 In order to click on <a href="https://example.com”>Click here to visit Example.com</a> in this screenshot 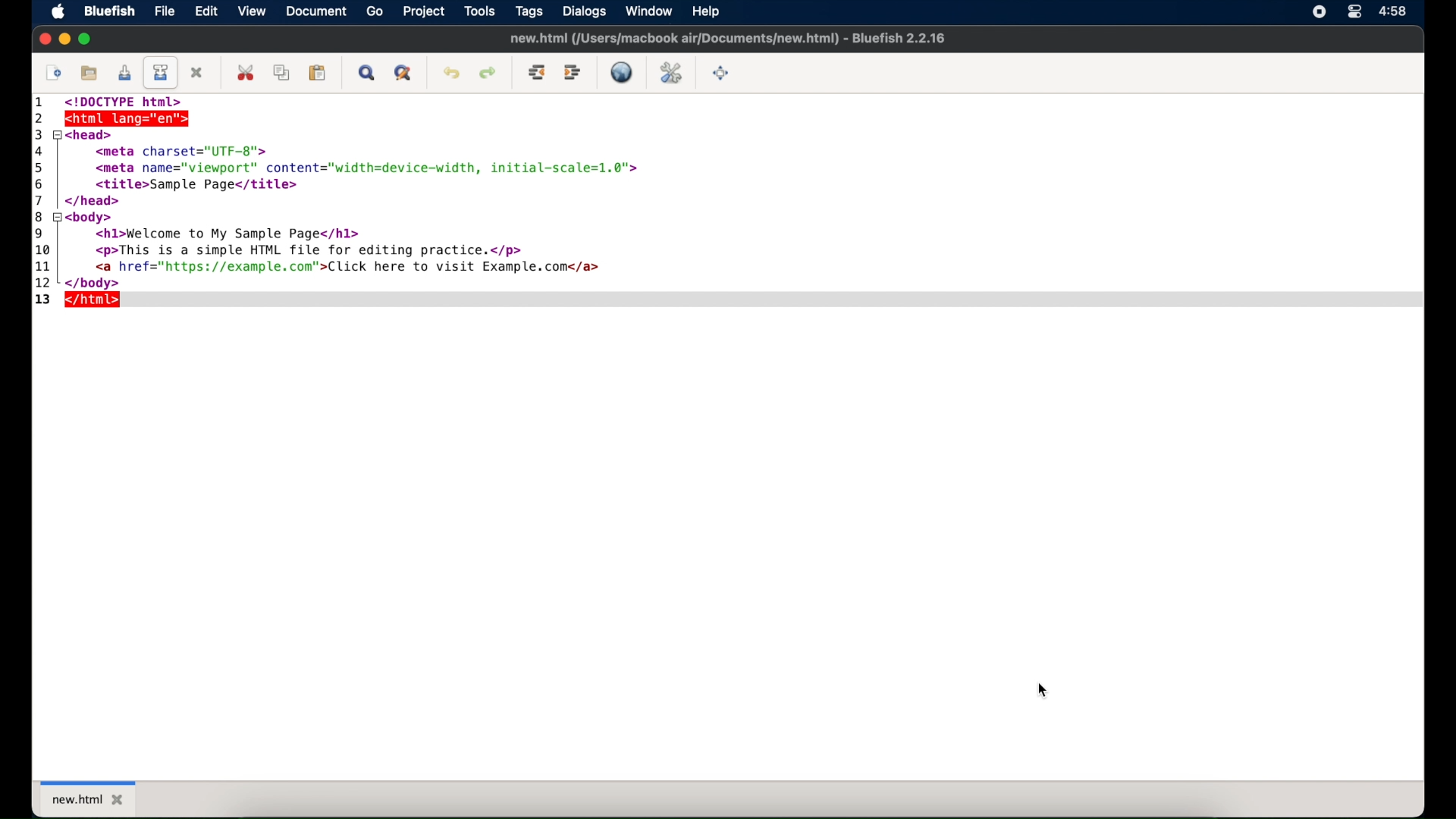, I will do `click(344, 268)`.